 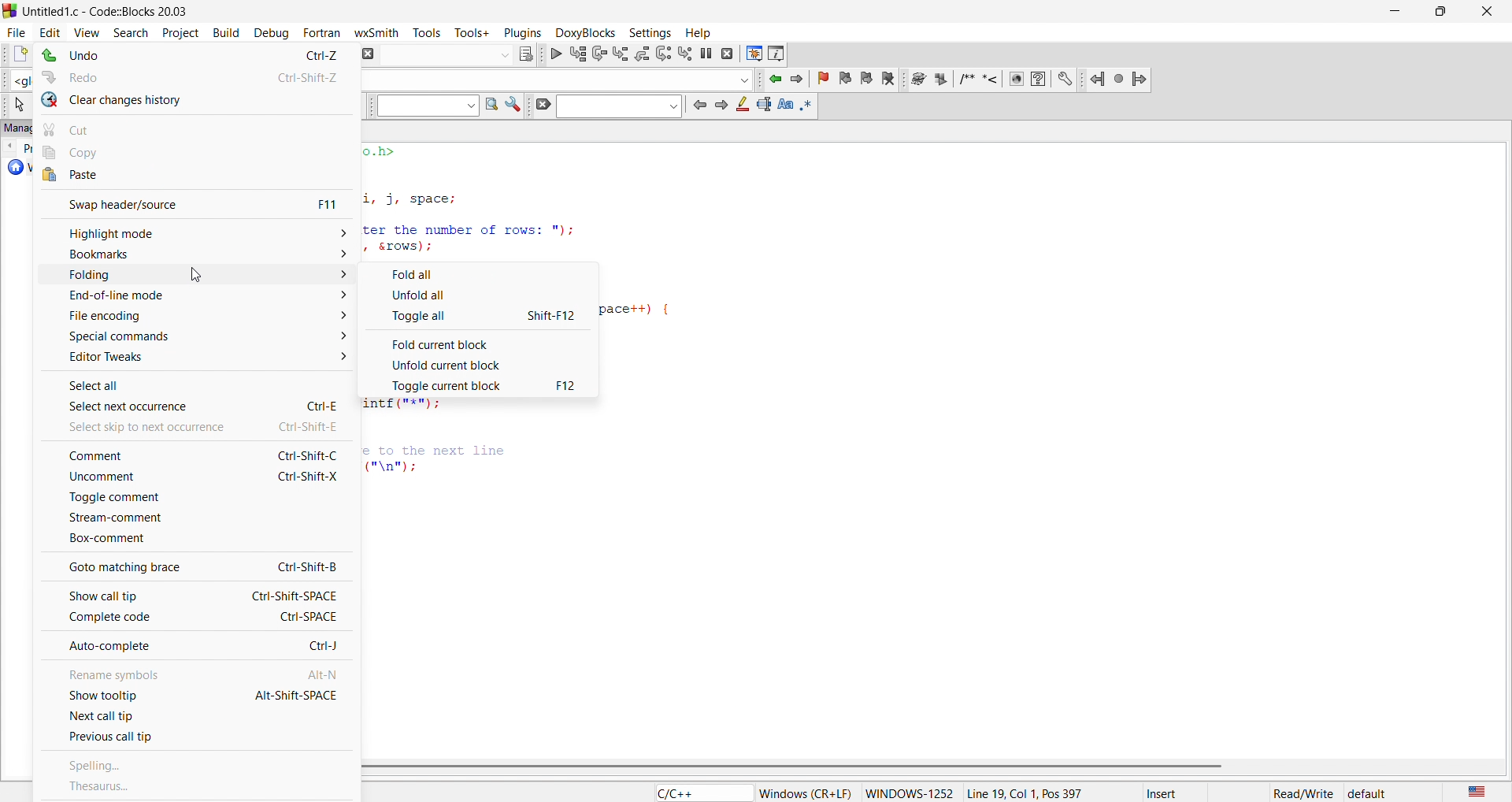 I want to click on wxsmith, so click(x=380, y=31).